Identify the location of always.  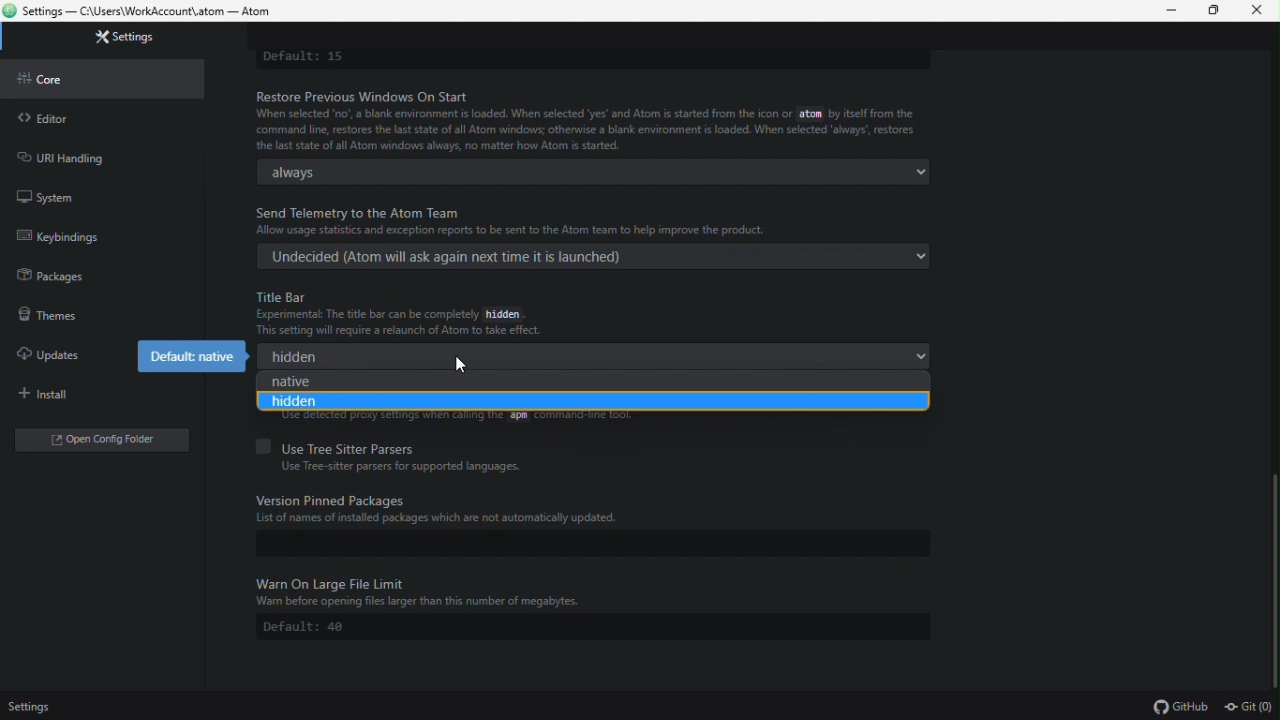
(592, 172).